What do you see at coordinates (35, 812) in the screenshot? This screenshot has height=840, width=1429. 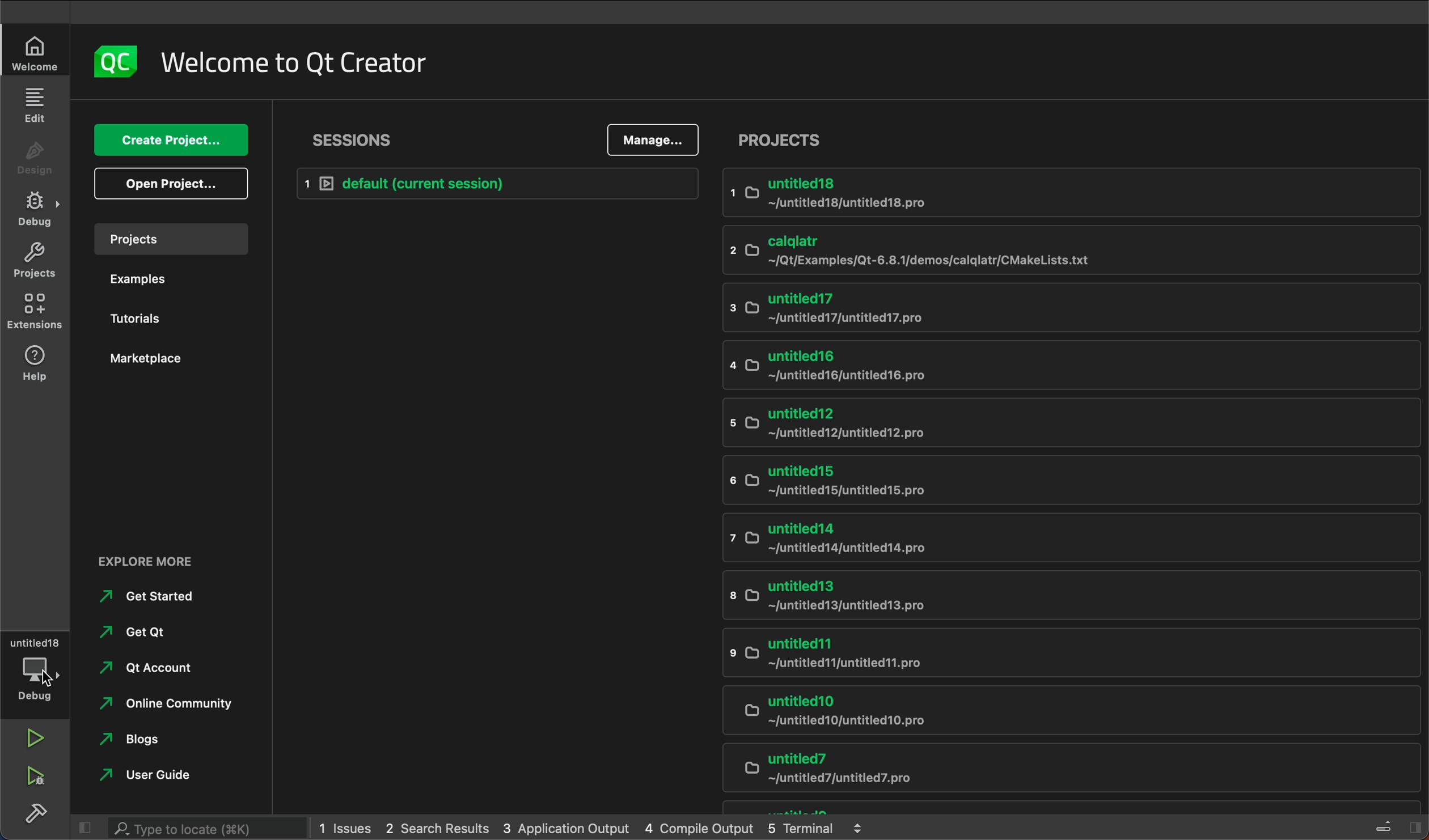 I see `build` at bounding box center [35, 812].